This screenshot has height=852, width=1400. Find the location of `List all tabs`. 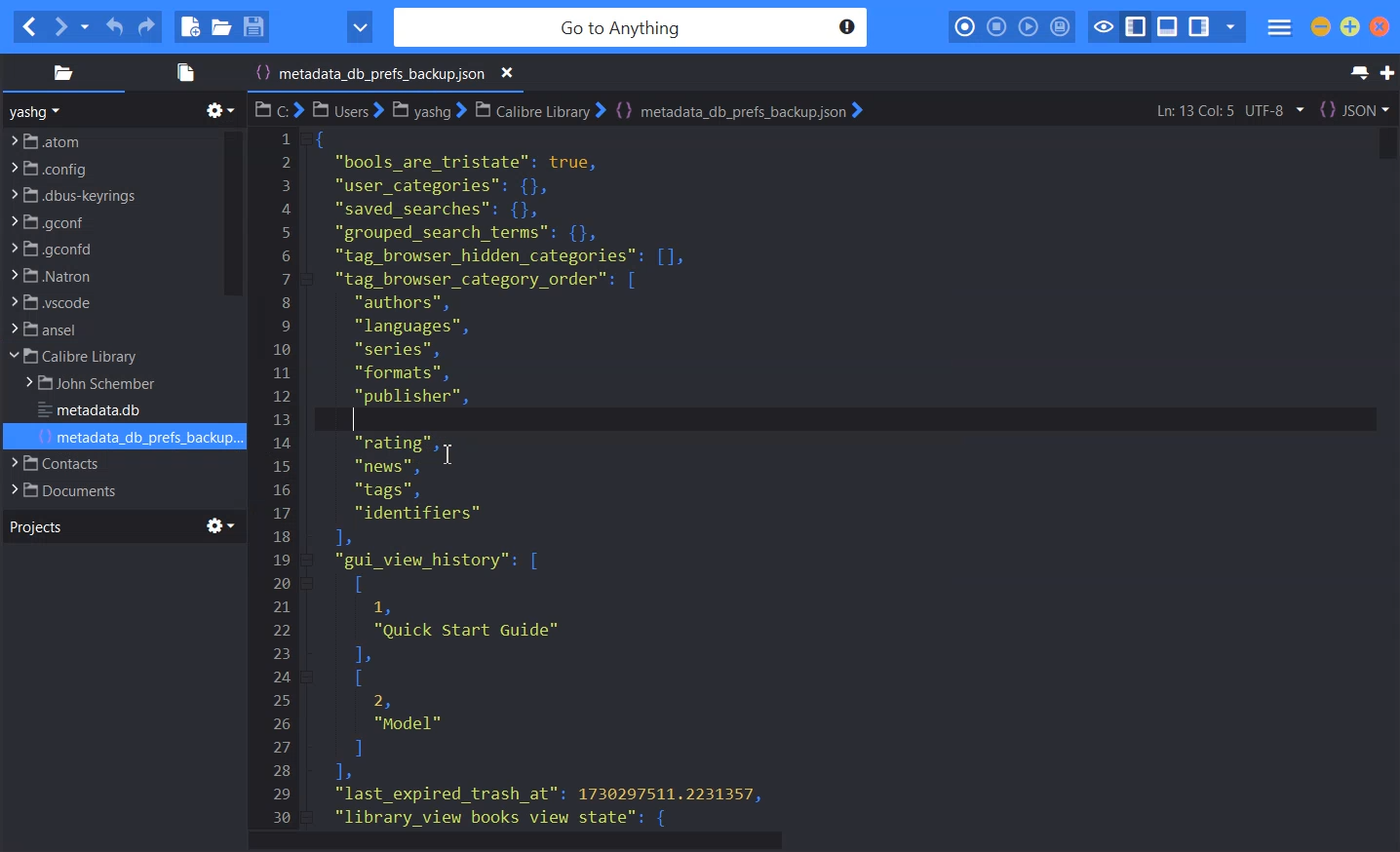

List all tabs is located at coordinates (1357, 73).